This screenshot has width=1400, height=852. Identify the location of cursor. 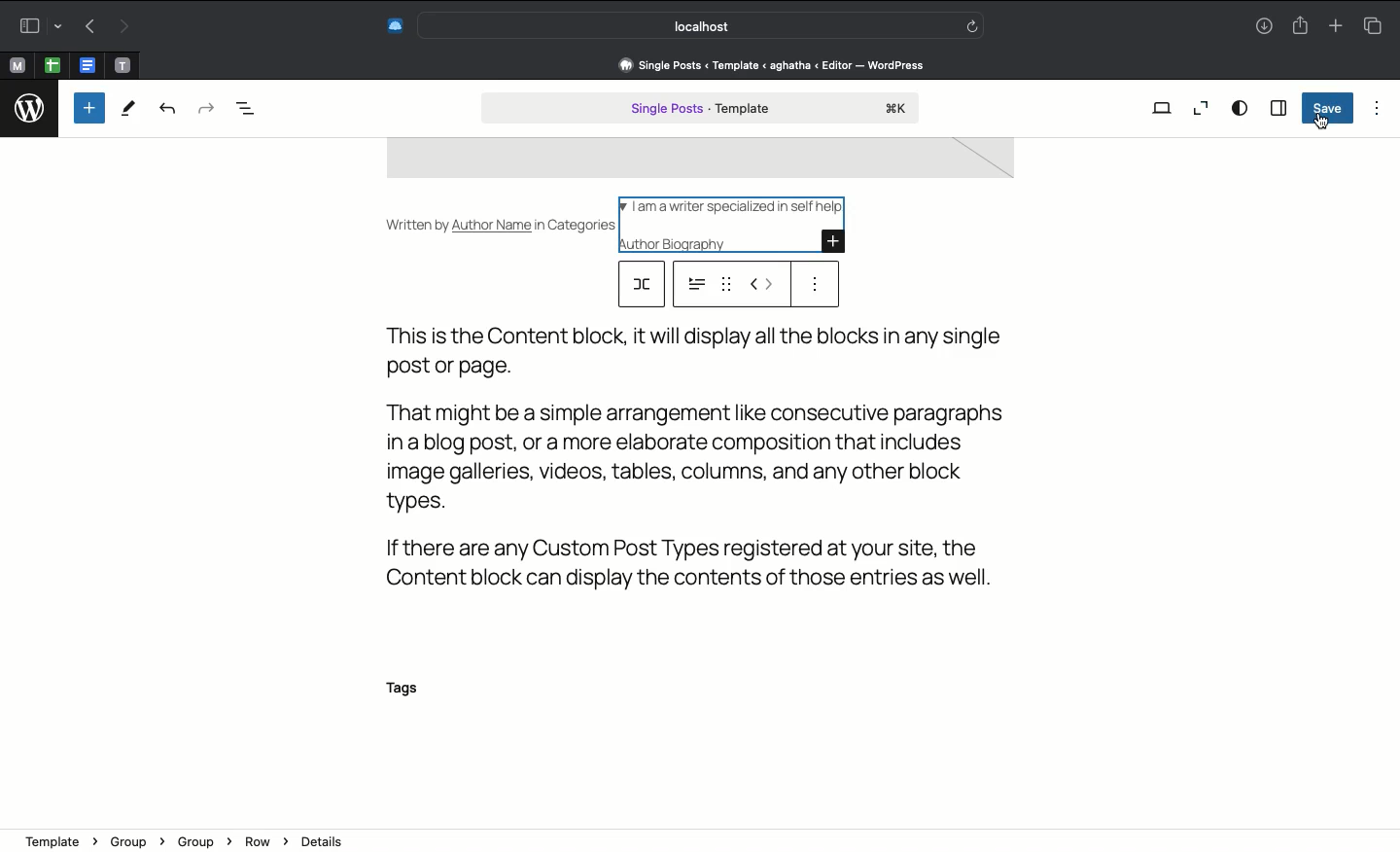
(1326, 128).